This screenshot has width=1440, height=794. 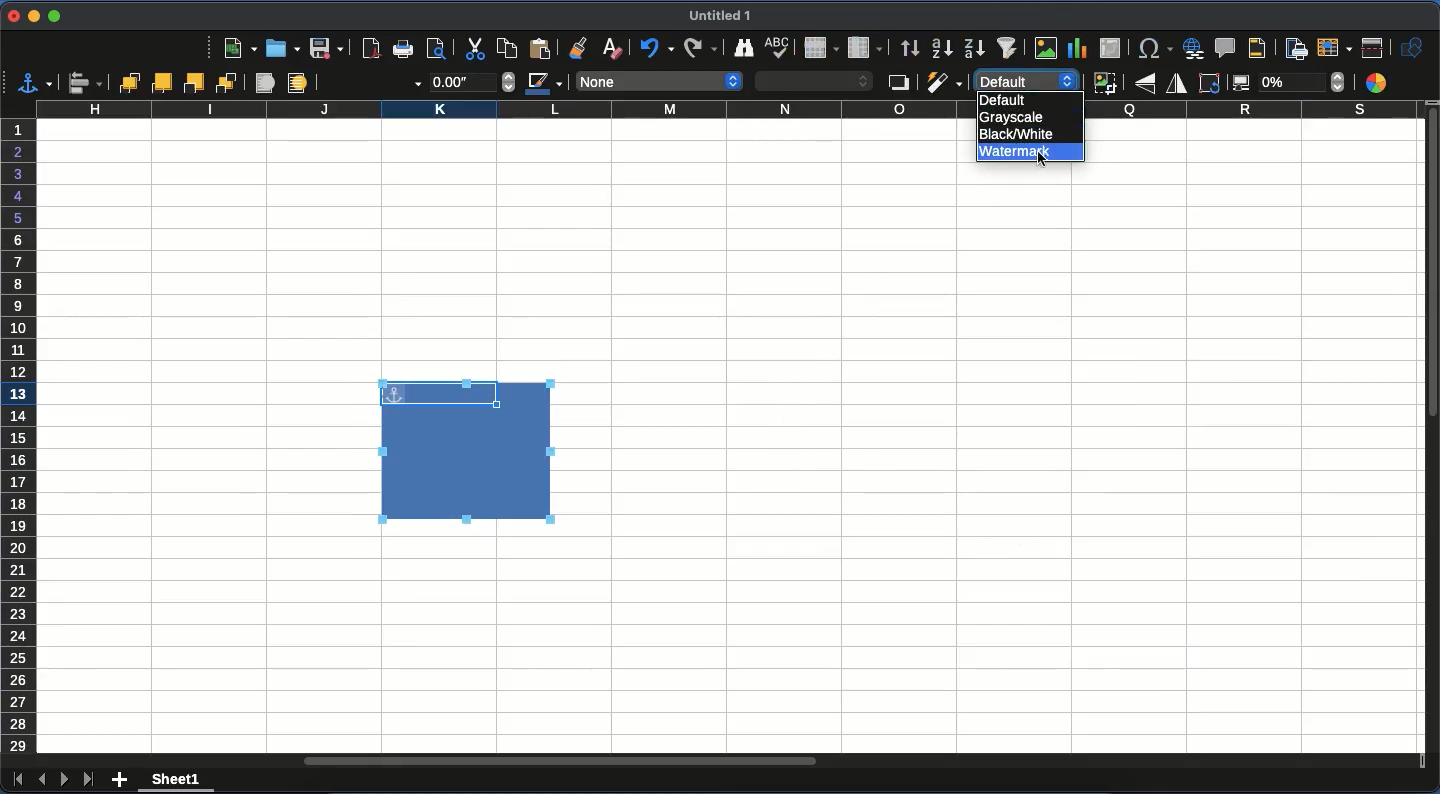 What do you see at coordinates (463, 456) in the screenshot?
I see `image` at bounding box center [463, 456].